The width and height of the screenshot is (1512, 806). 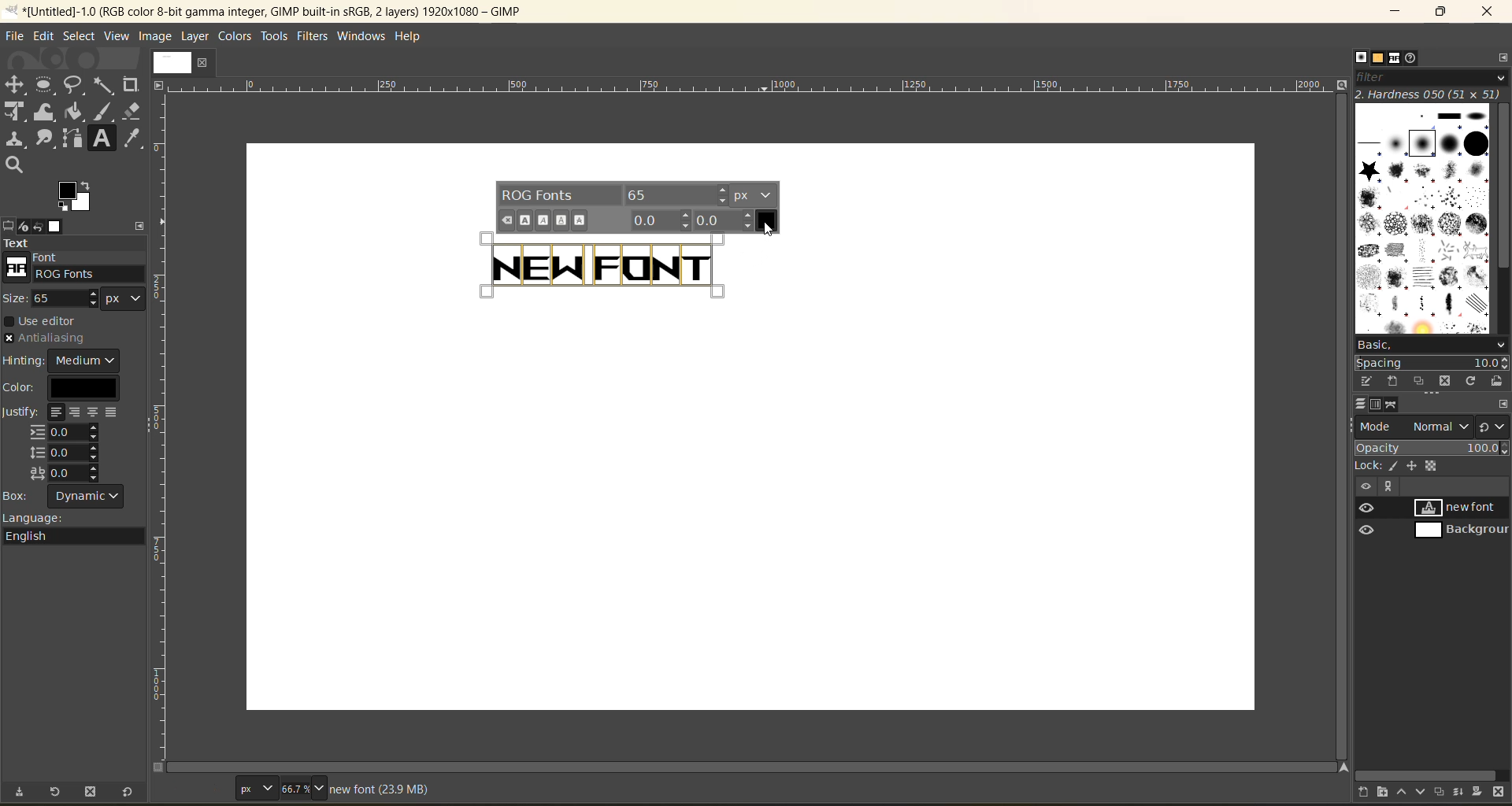 What do you see at coordinates (759, 767) in the screenshot?
I see `horizontal scroll bar` at bounding box center [759, 767].